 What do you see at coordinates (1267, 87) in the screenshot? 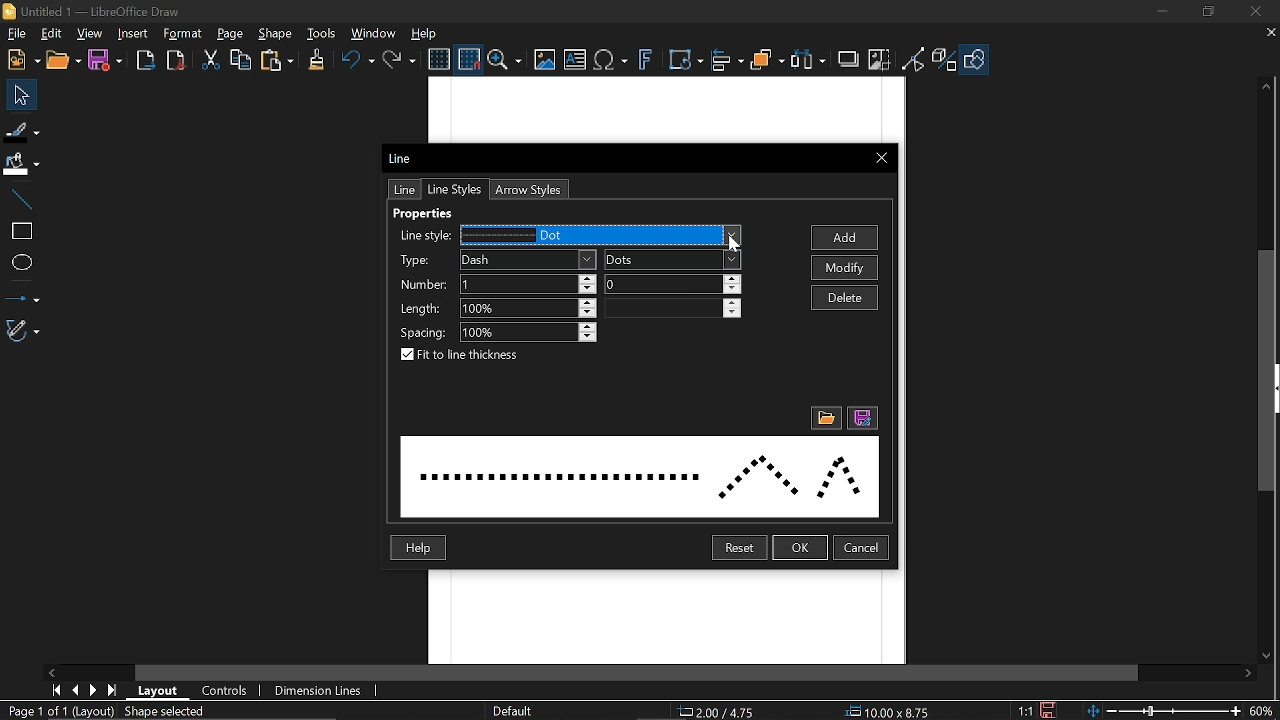
I see `Move up` at bounding box center [1267, 87].